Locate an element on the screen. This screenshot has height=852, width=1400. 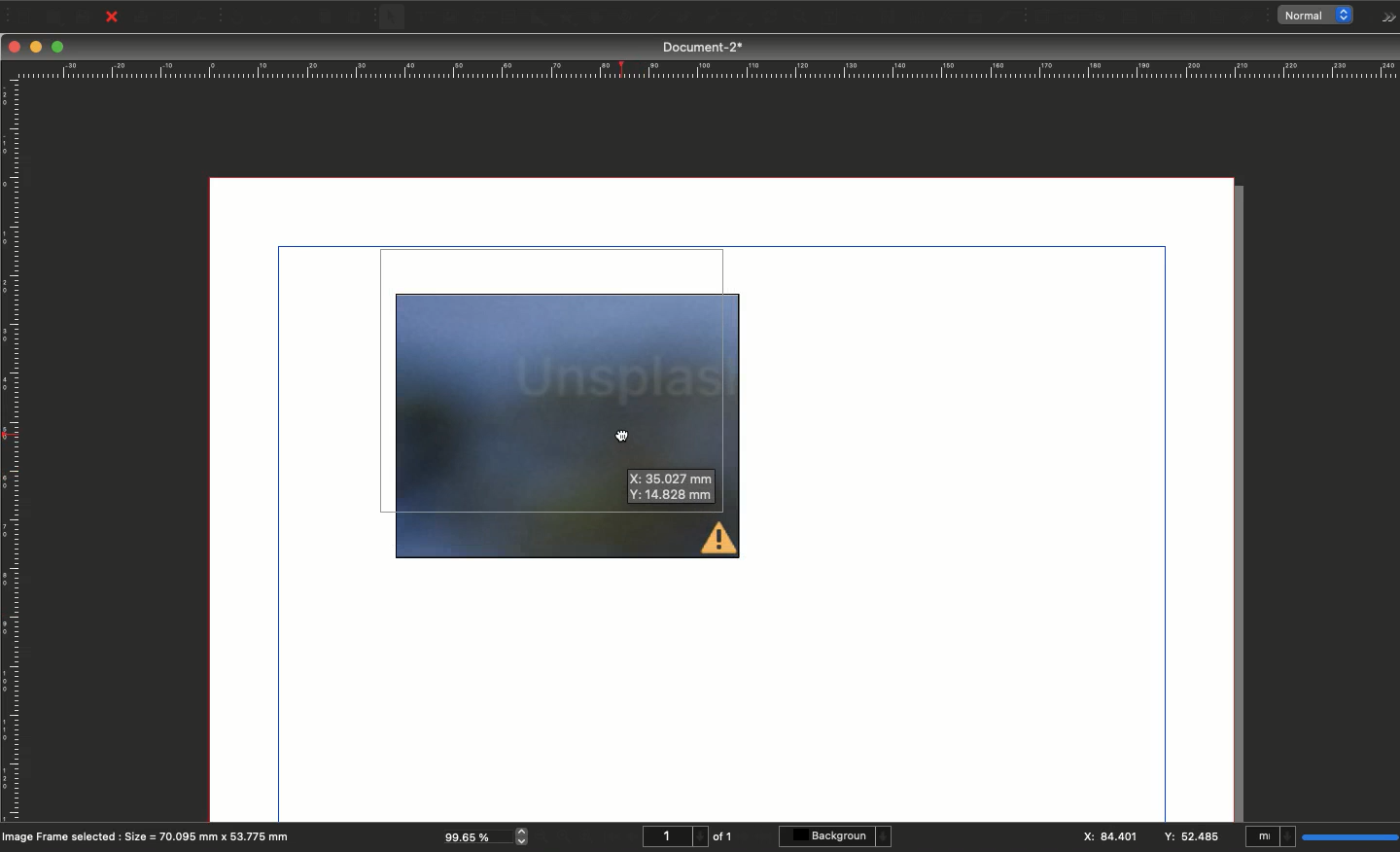
PDF radio button is located at coordinates (1102, 18).